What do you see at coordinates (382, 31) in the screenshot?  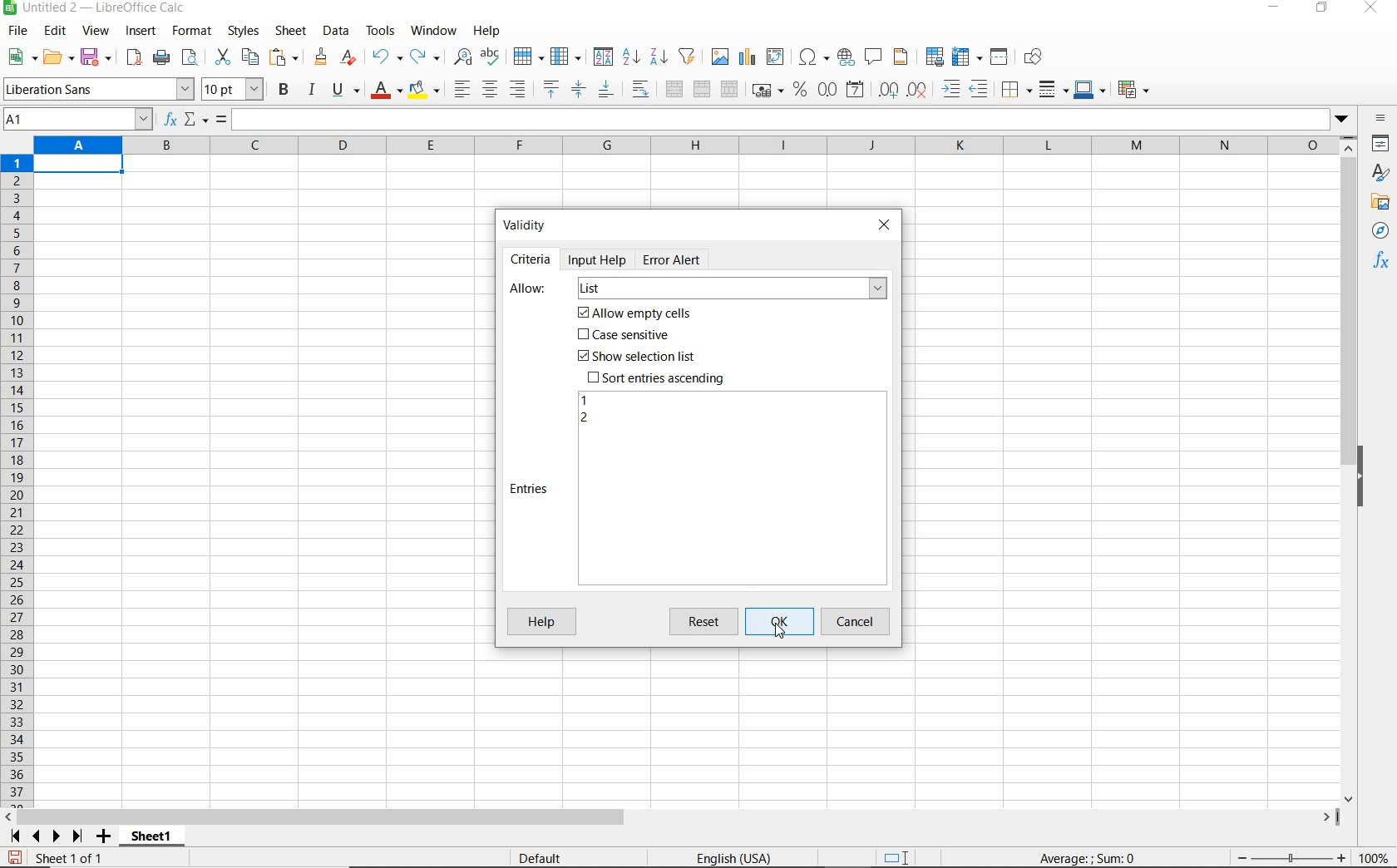 I see `tools` at bounding box center [382, 31].